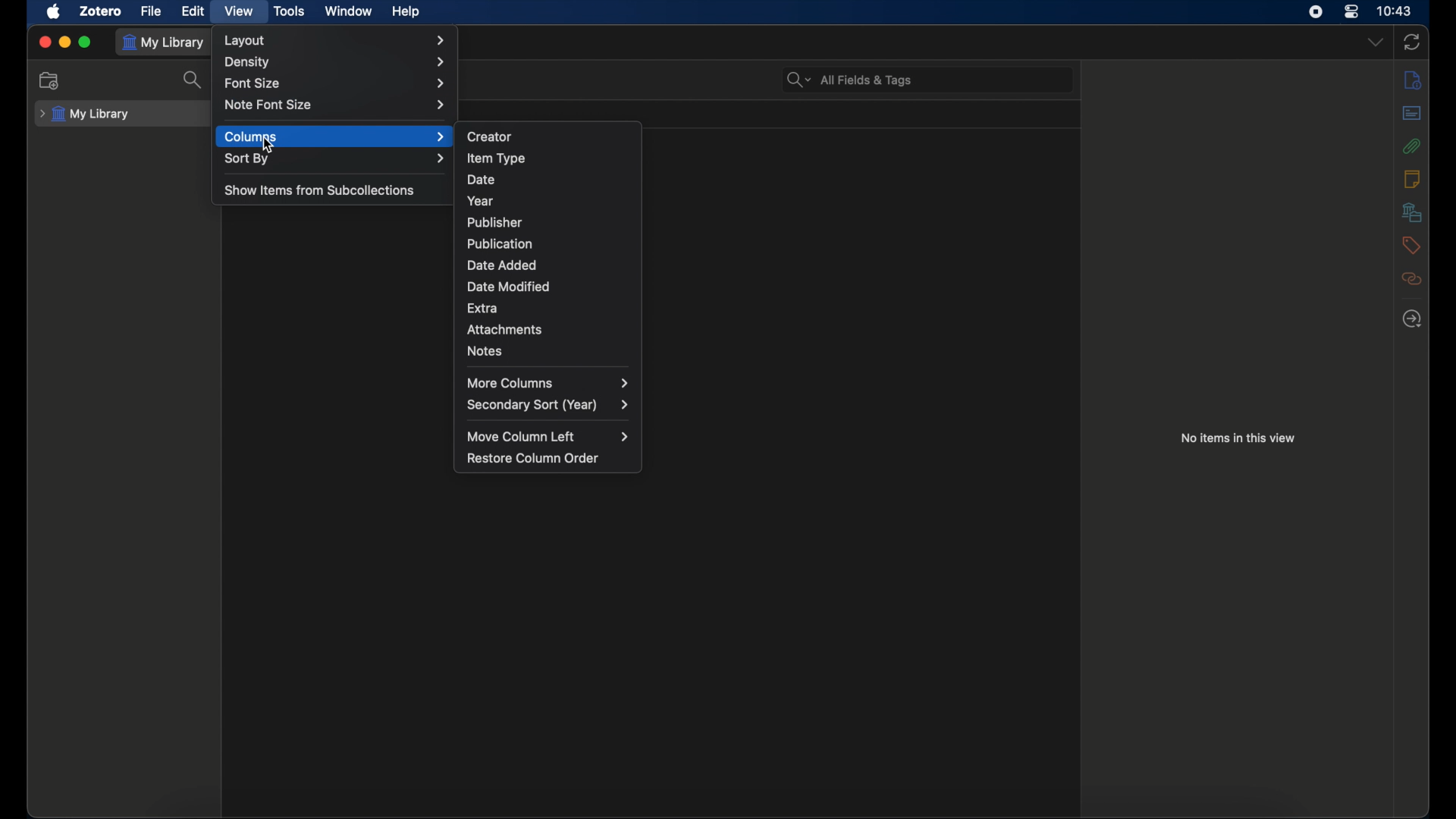 The image size is (1456, 819). What do you see at coordinates (1396, 10) in the screenshot?
I see `time` at bounding box center [1396, 10].